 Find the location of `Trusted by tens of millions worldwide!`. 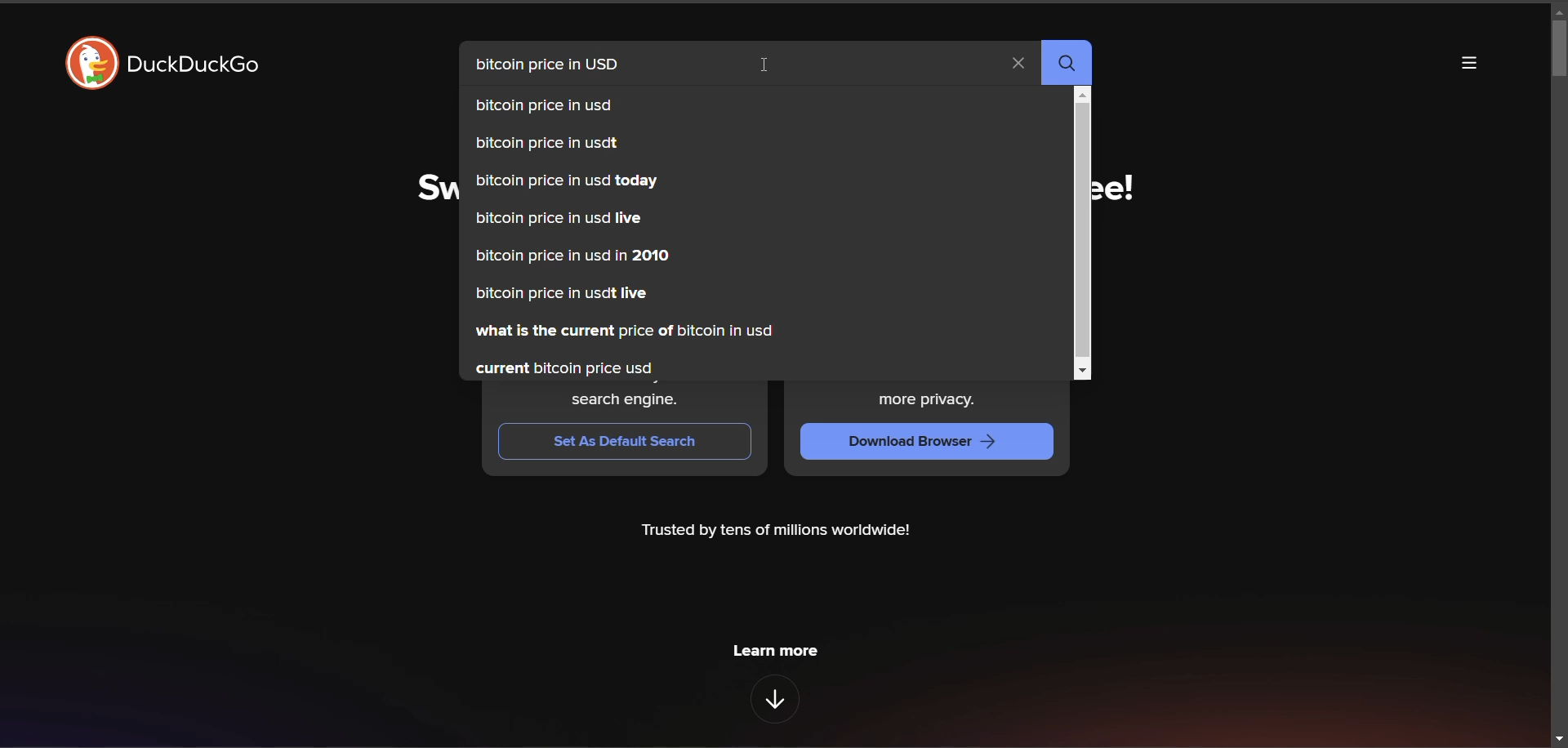

Trusted by tens of millions worldwide! is located at coordinates (782, 528).